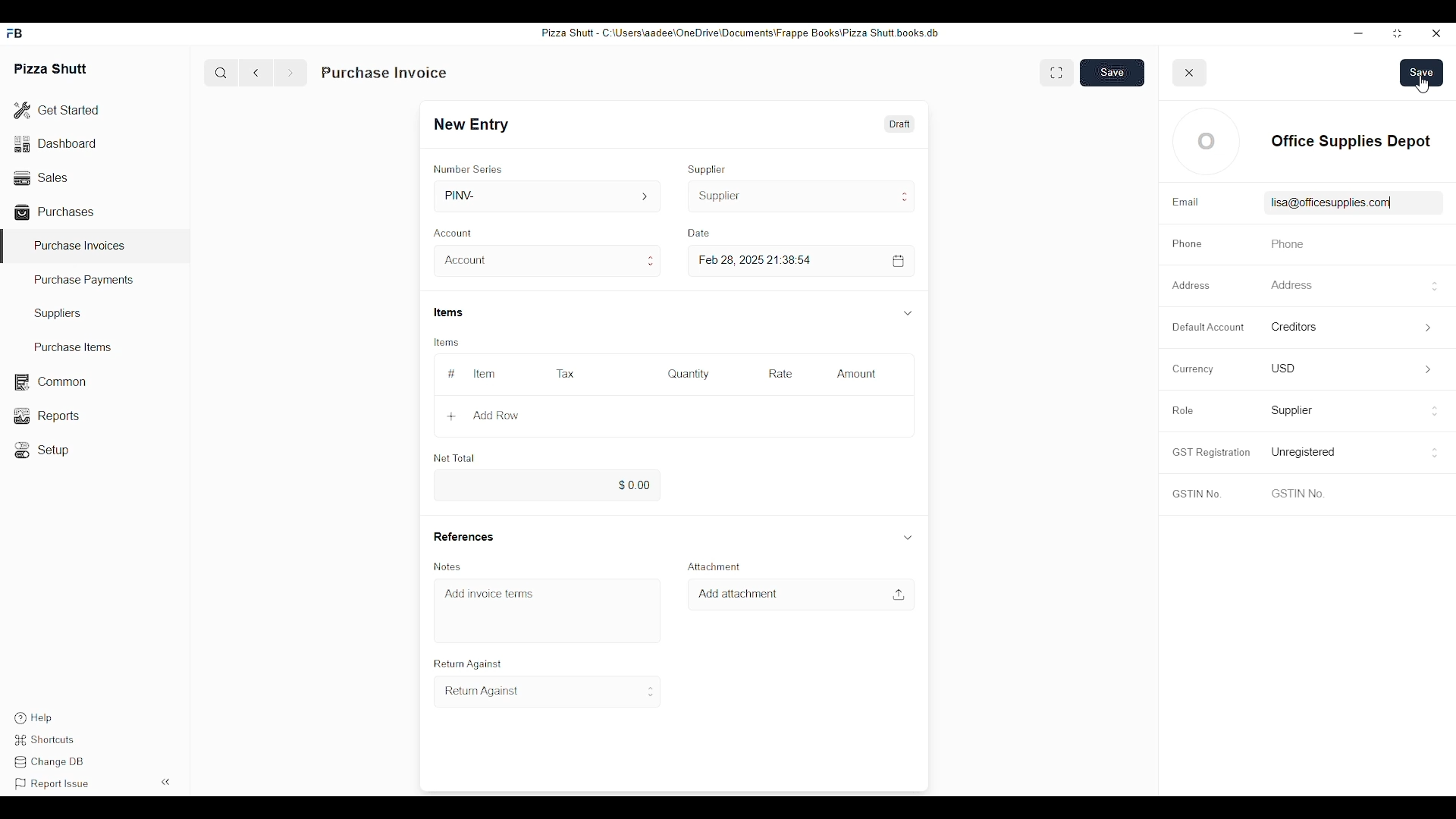 The image size is (1456, 819). I want to click on buttons, so click(1434, 287).